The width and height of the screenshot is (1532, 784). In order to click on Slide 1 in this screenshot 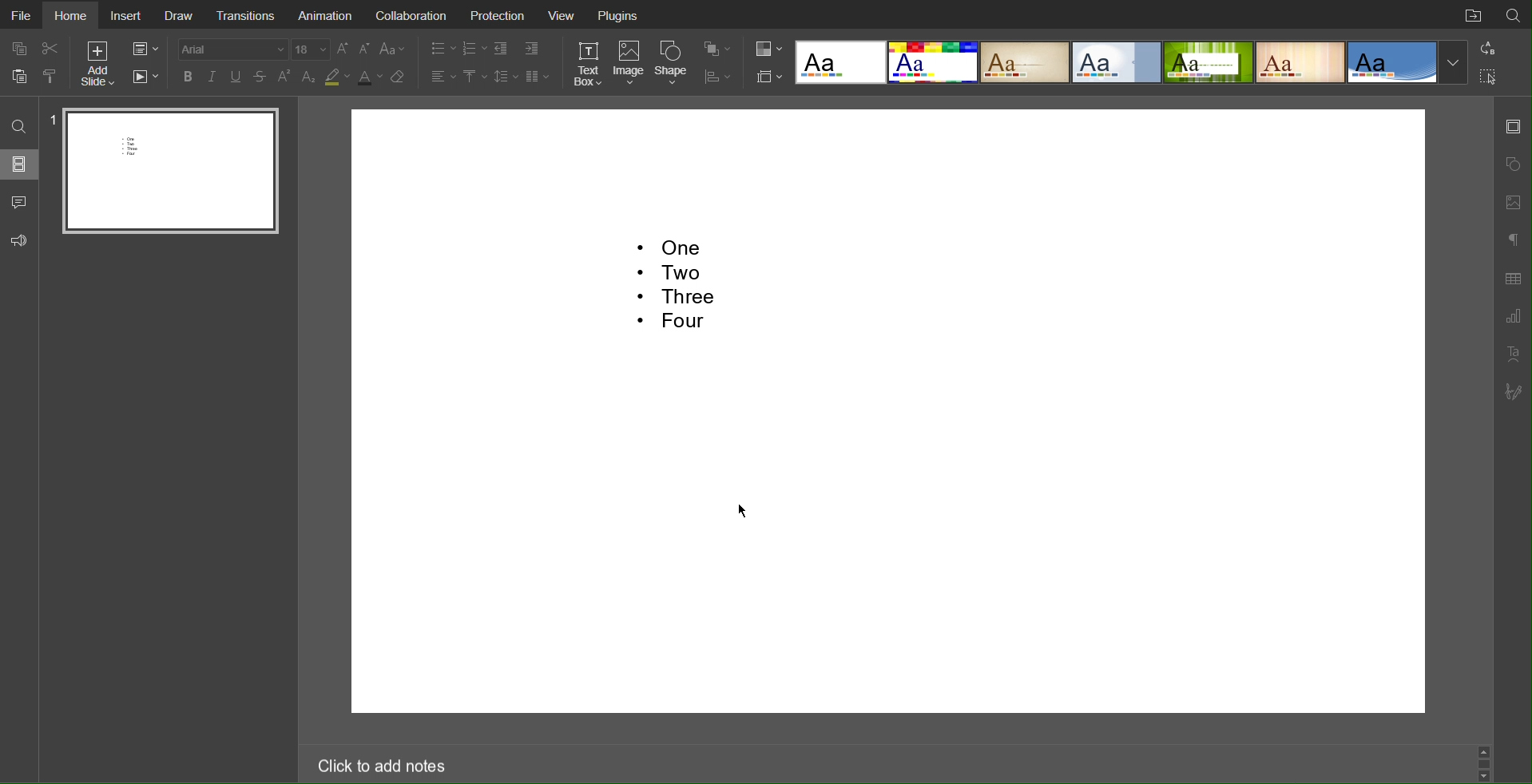, I will do `click(168, 173)`.